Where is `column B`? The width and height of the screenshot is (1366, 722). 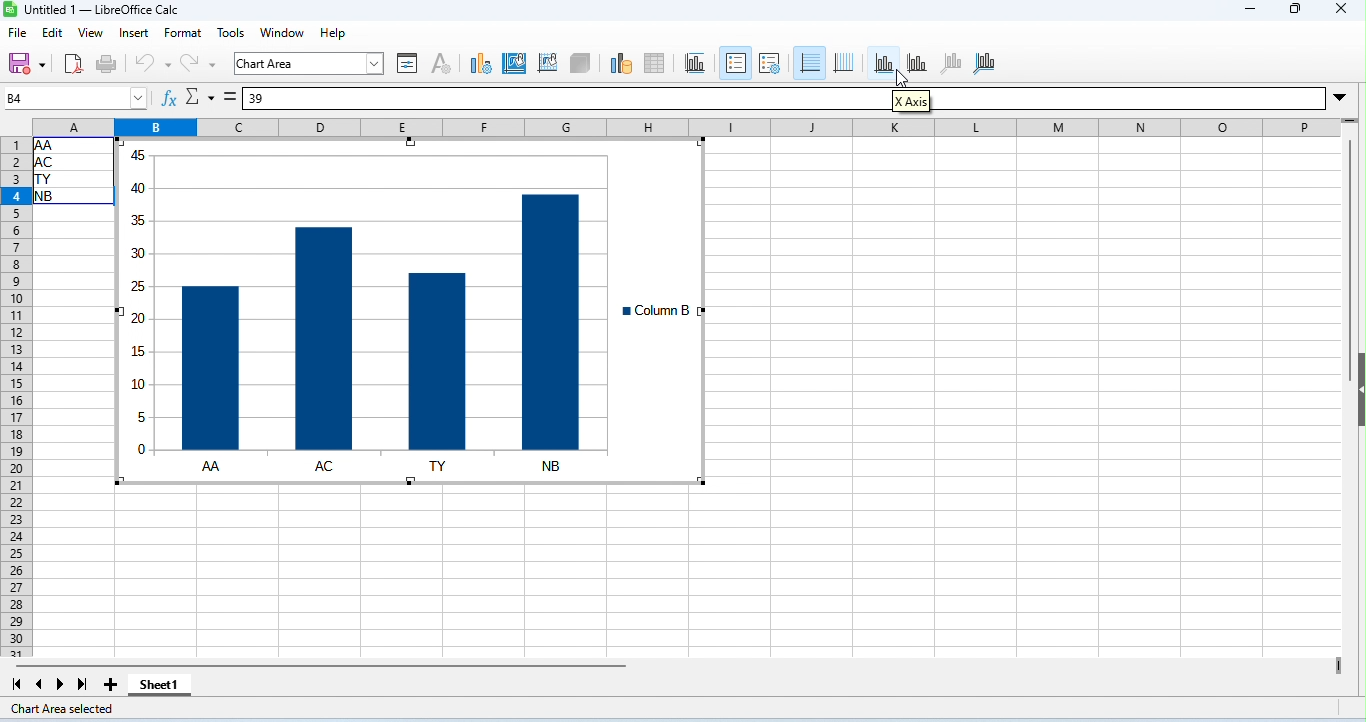 column B is located at coordinates (664, 310).